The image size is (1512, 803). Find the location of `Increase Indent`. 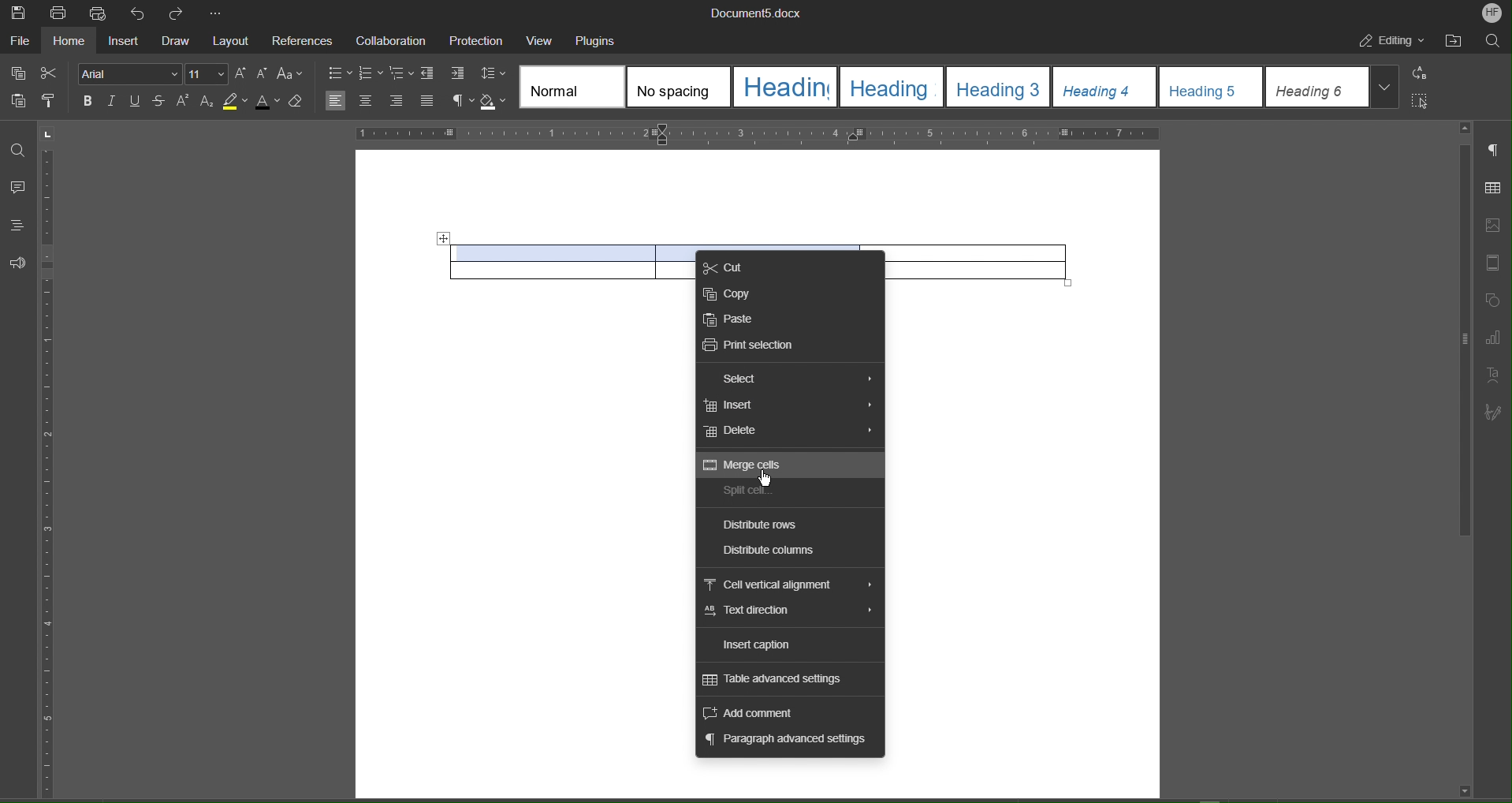

Increase Indent is located at coordinates (459, 74).